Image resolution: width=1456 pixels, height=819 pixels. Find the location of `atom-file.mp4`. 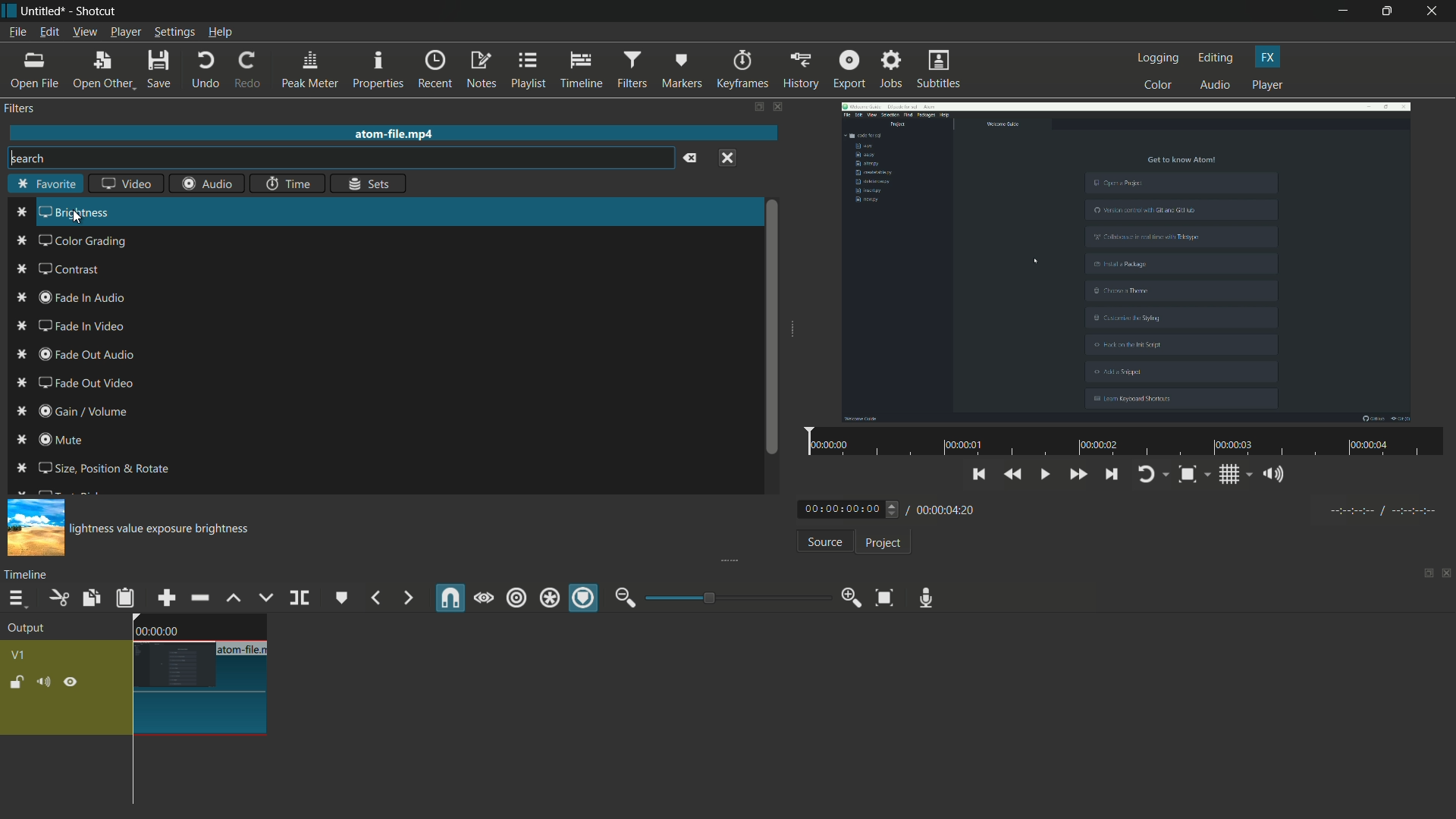

atom-file.mp4 is located at coordinates (393, 133).